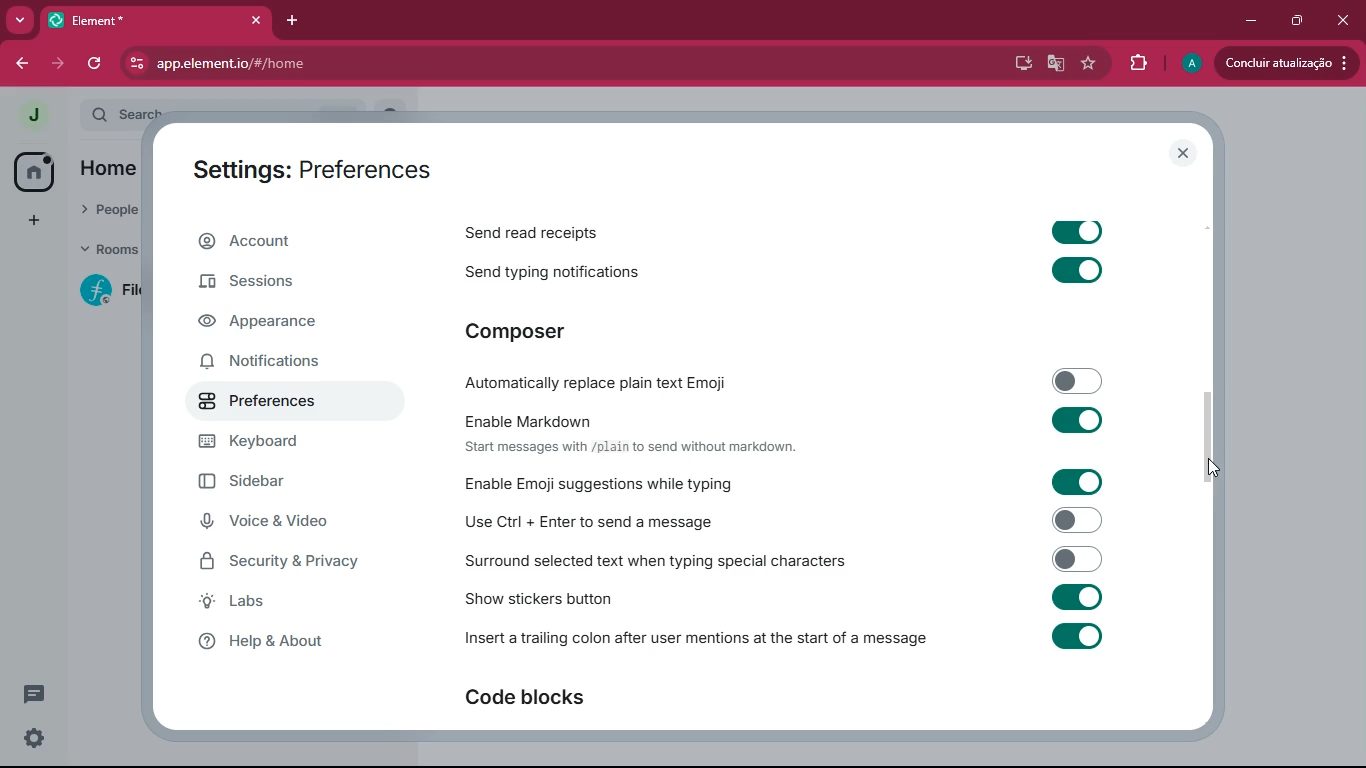 The height and width of the screenshot is (768, 1366). What do you see at coordinates (102, 63) in the screenshot?
I see `refresh` at bounding box center [102, 63].